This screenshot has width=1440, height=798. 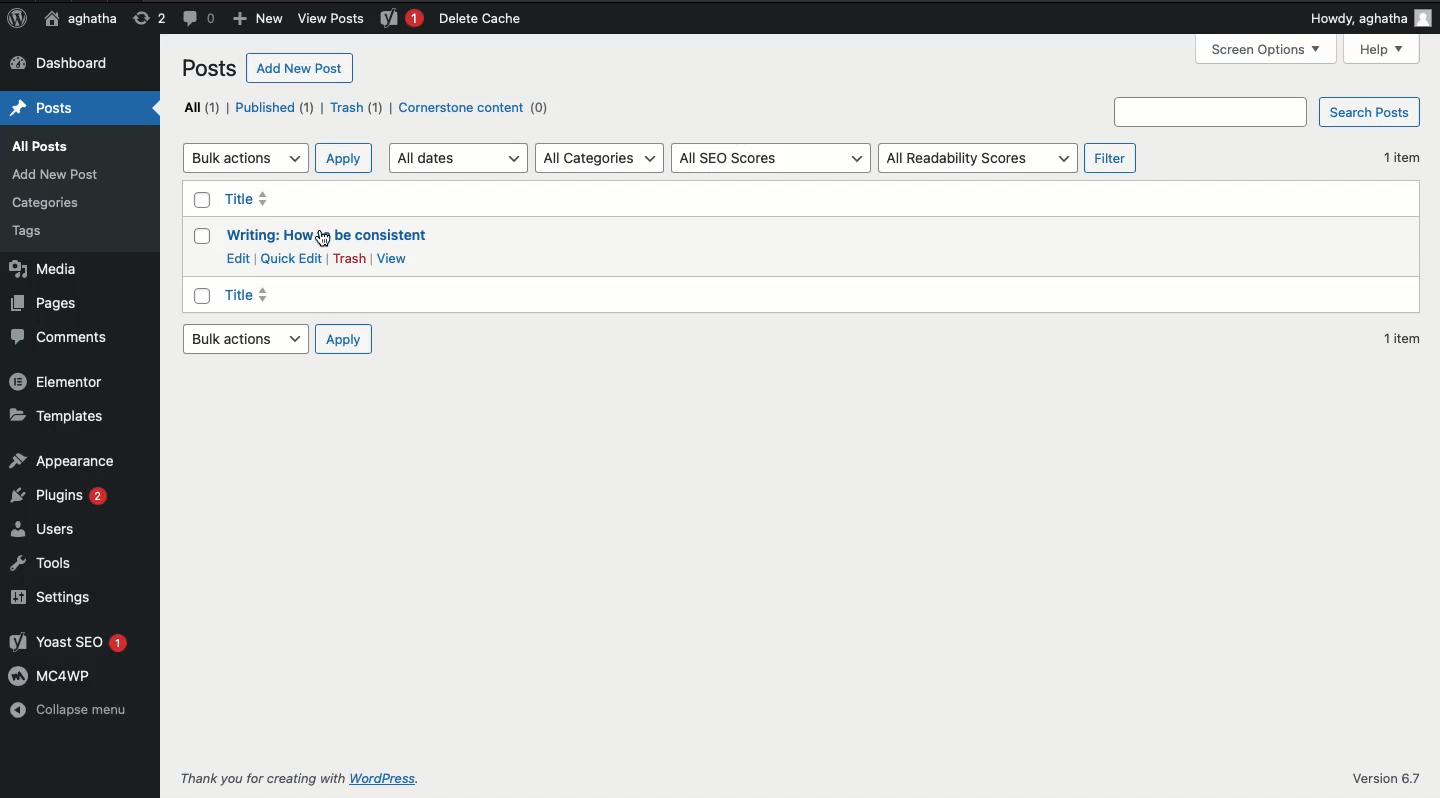 I want to click on Writing: How to be consistent, so click(x=334, y=235).